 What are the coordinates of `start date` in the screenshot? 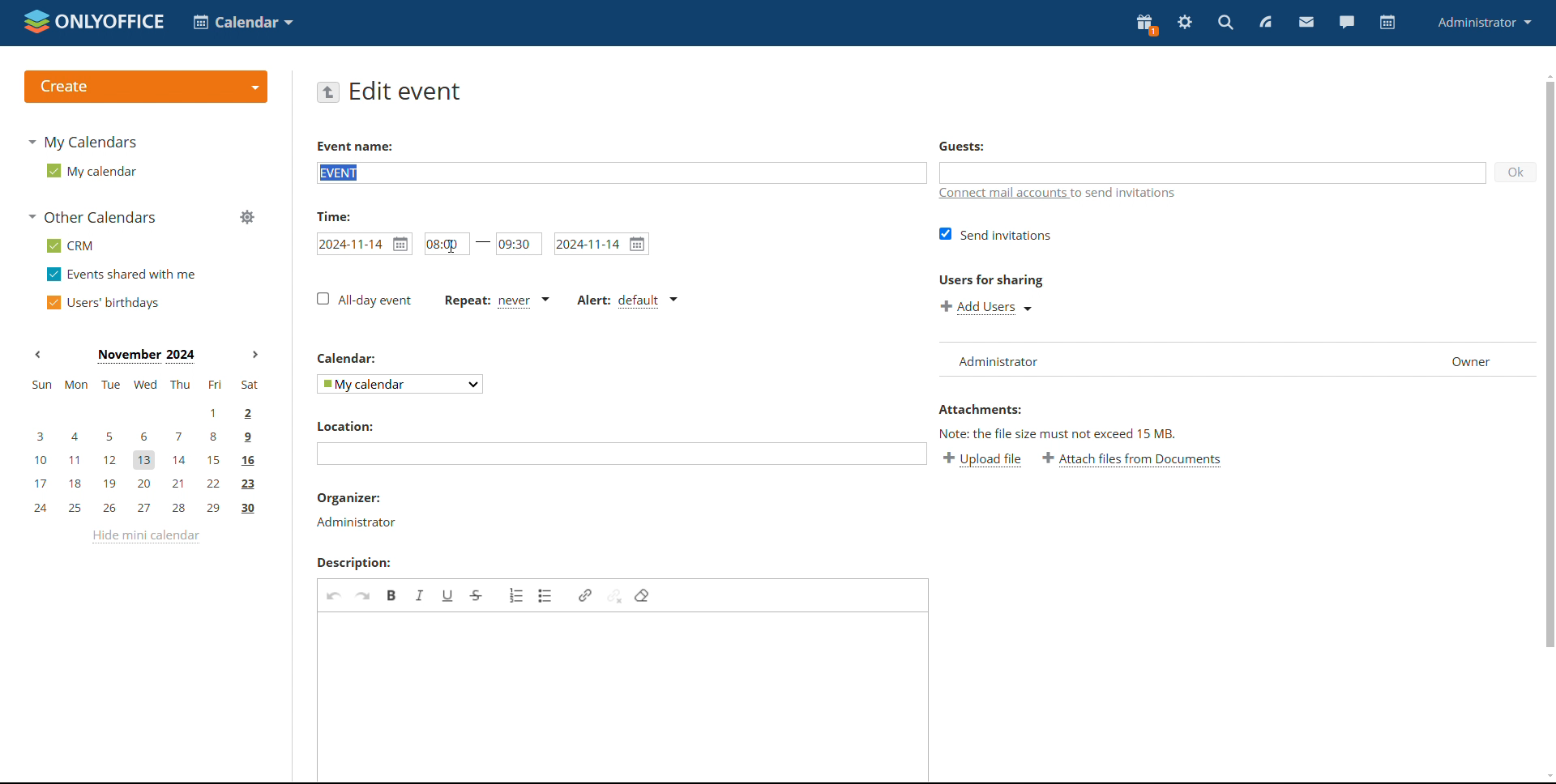 It's located at (364, 244).